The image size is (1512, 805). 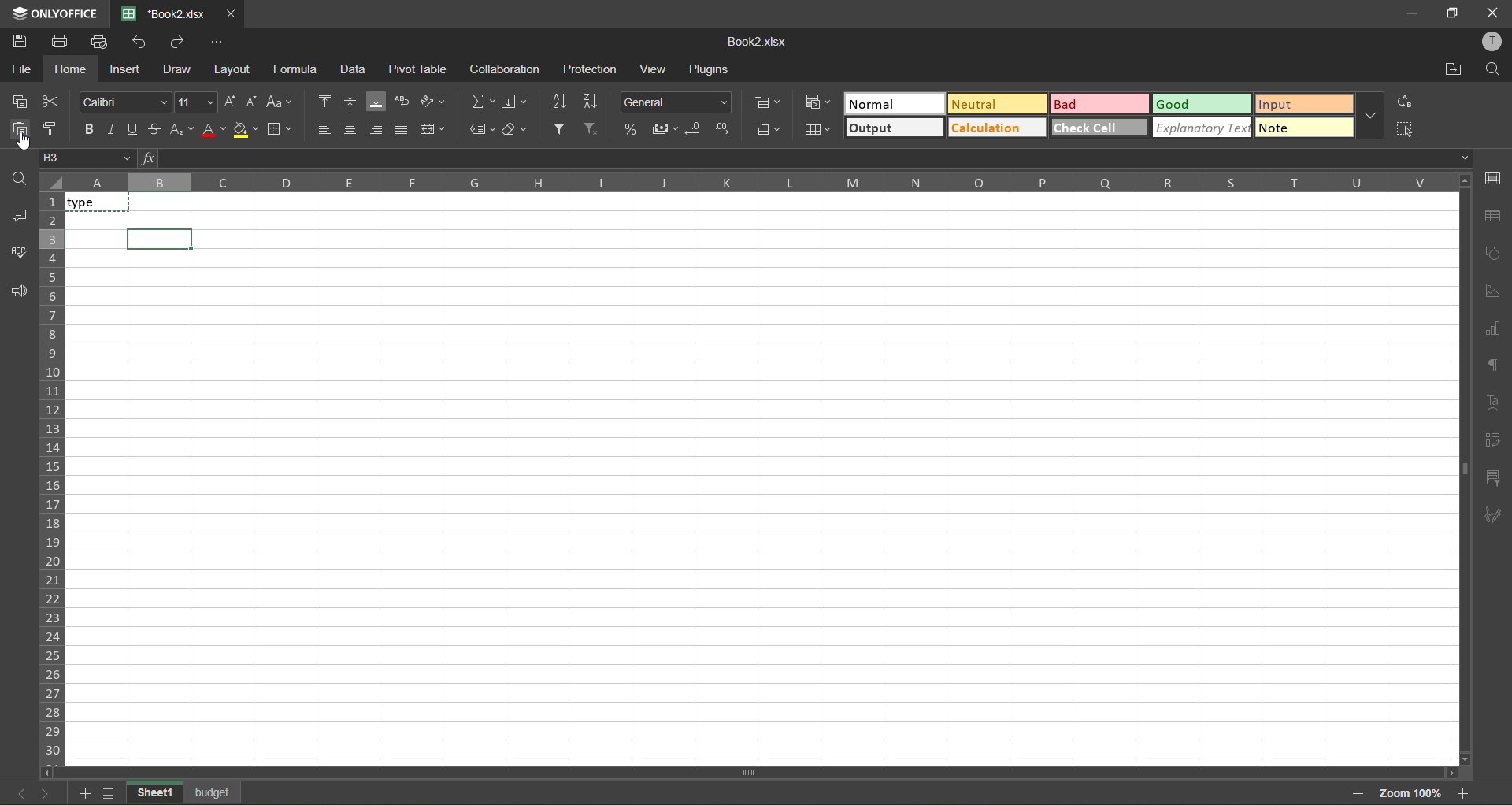 I want to click on change case, so click(x=280, y=101).